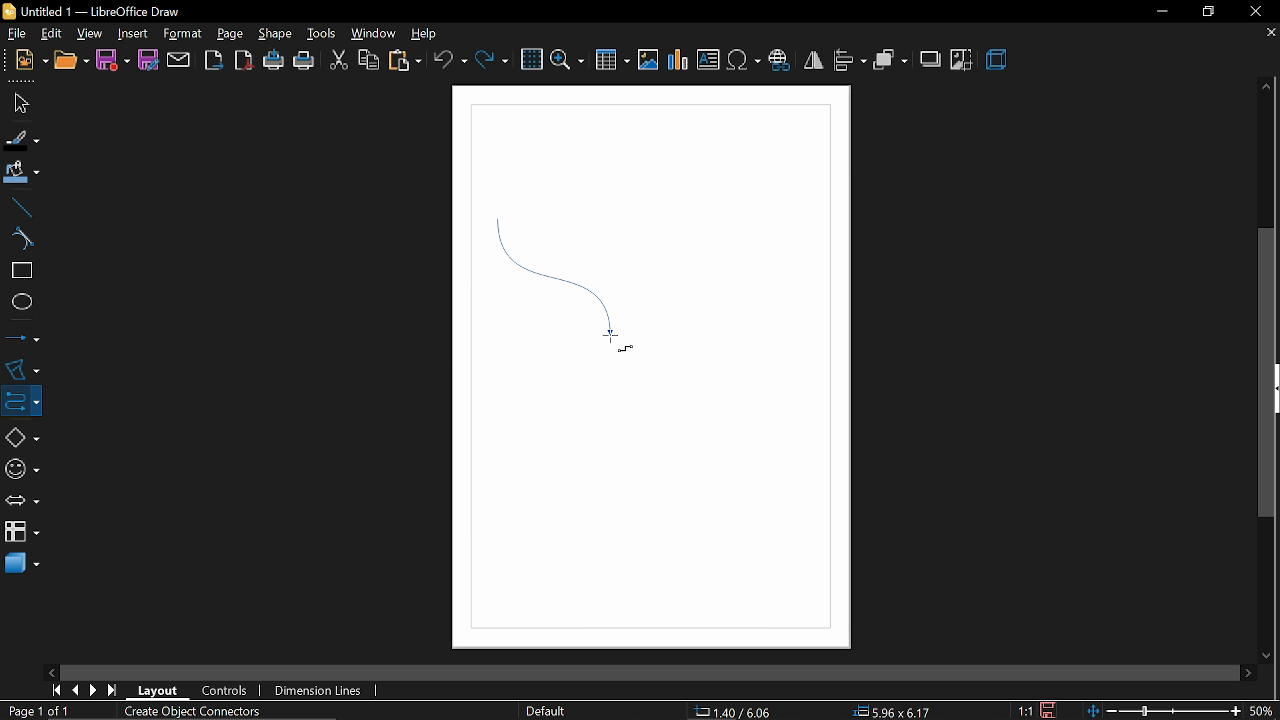 The image size is (1280, 720). What do you see at coordinates (1051, 710) in the screenshot?
I see `save` at bounding box center [1051, 710].